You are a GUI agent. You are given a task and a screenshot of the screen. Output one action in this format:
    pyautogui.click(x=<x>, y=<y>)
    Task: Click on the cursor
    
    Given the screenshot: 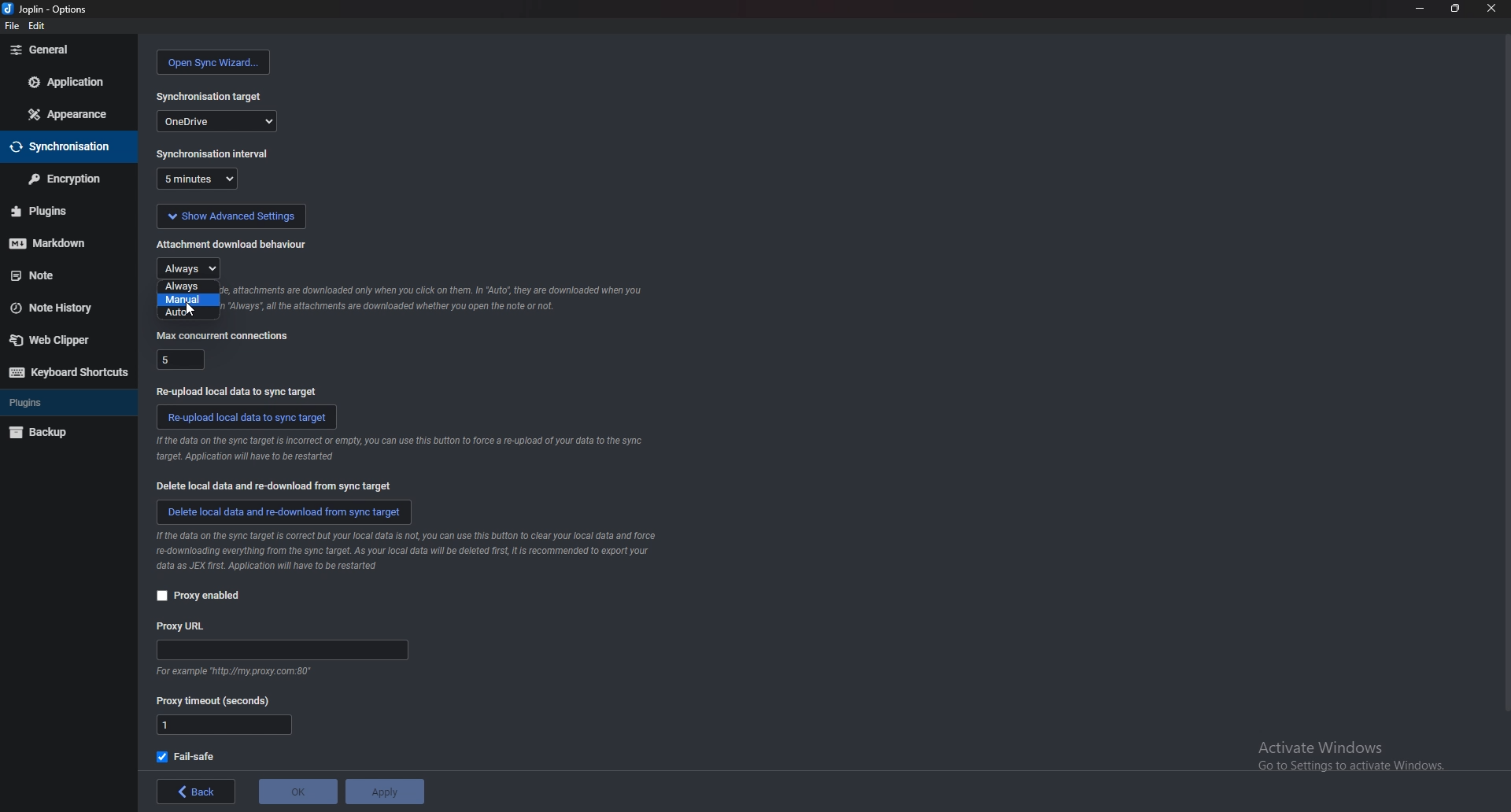 What is the action you would take?
    pyautogui.click(x=191, y=310)
    